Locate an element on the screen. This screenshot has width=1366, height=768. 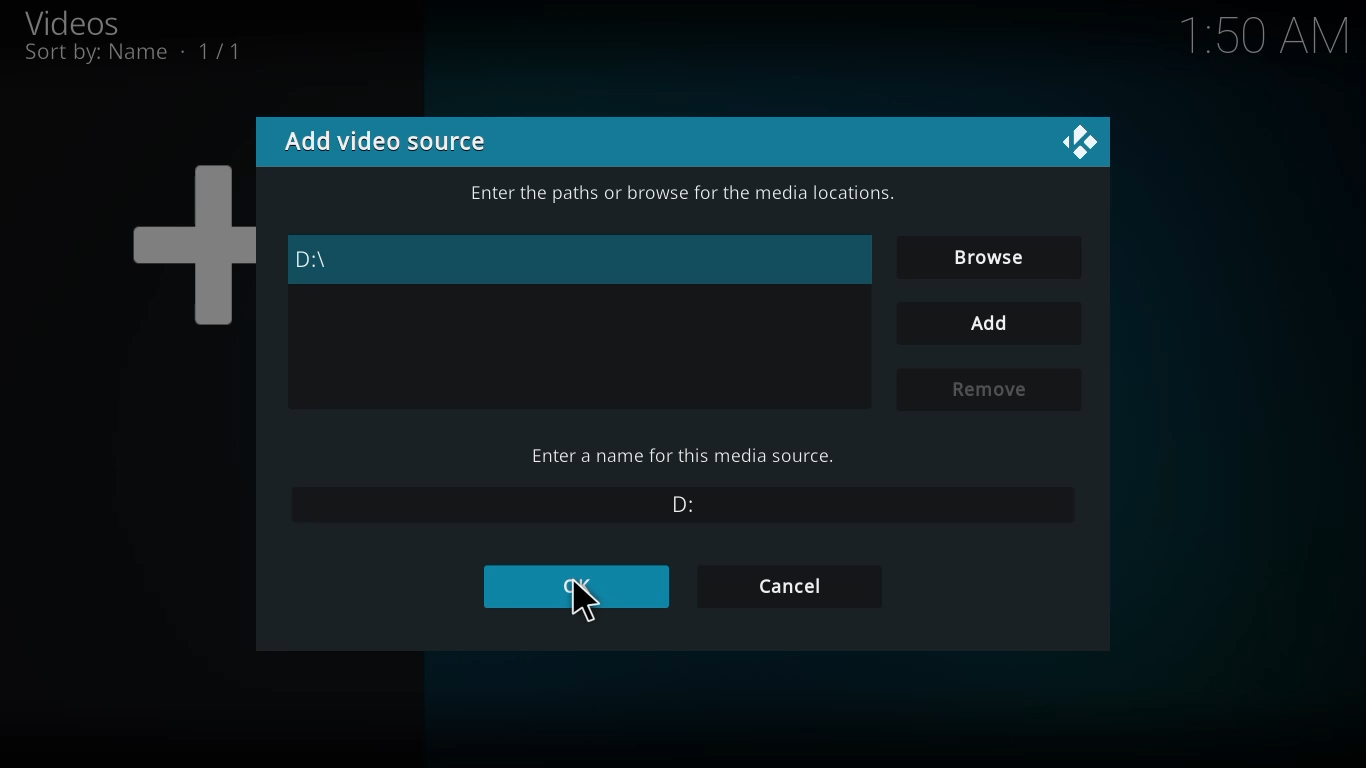
add is located at coordinates (984, 321).